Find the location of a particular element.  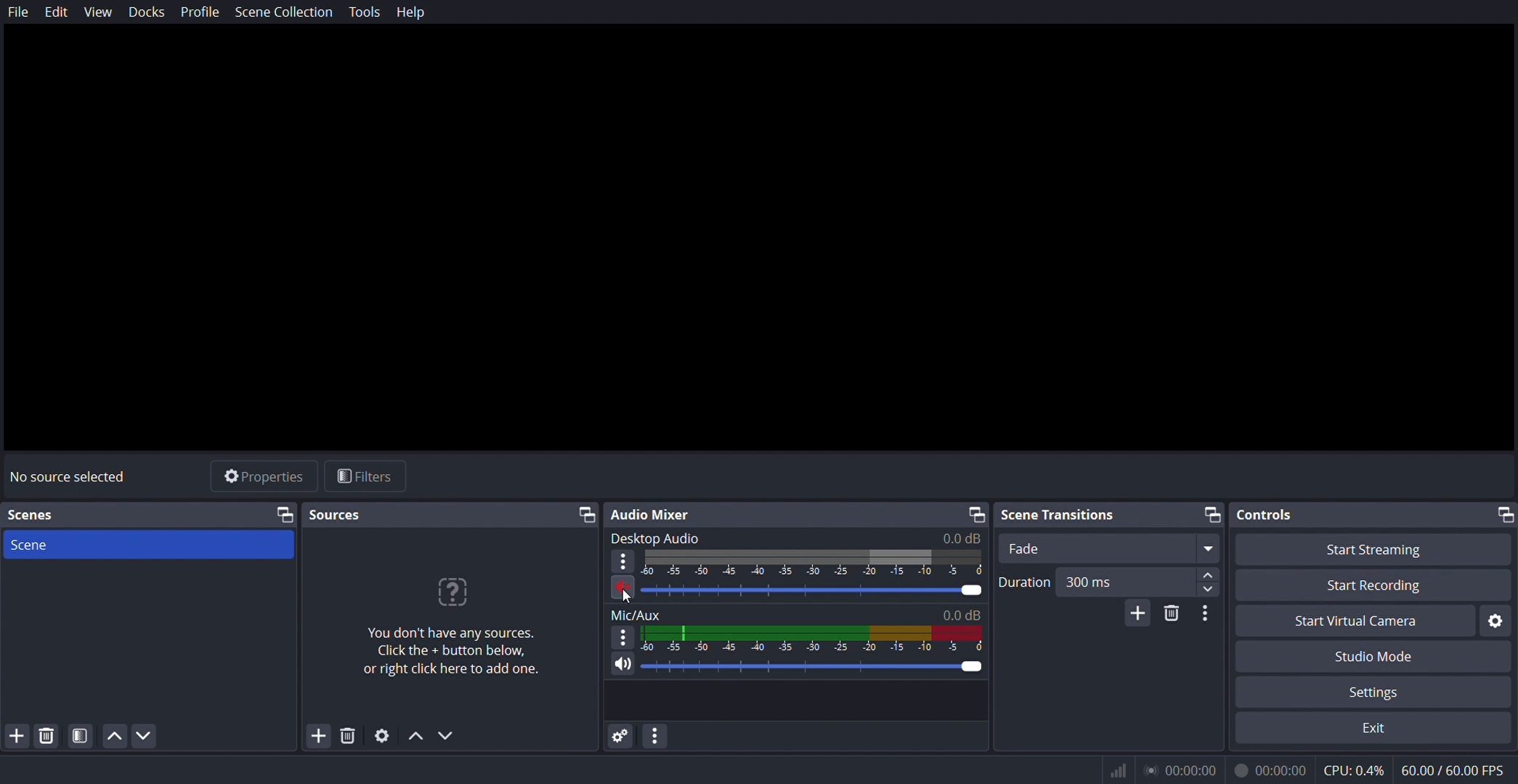

settings is located at coordinates (1360, 693).